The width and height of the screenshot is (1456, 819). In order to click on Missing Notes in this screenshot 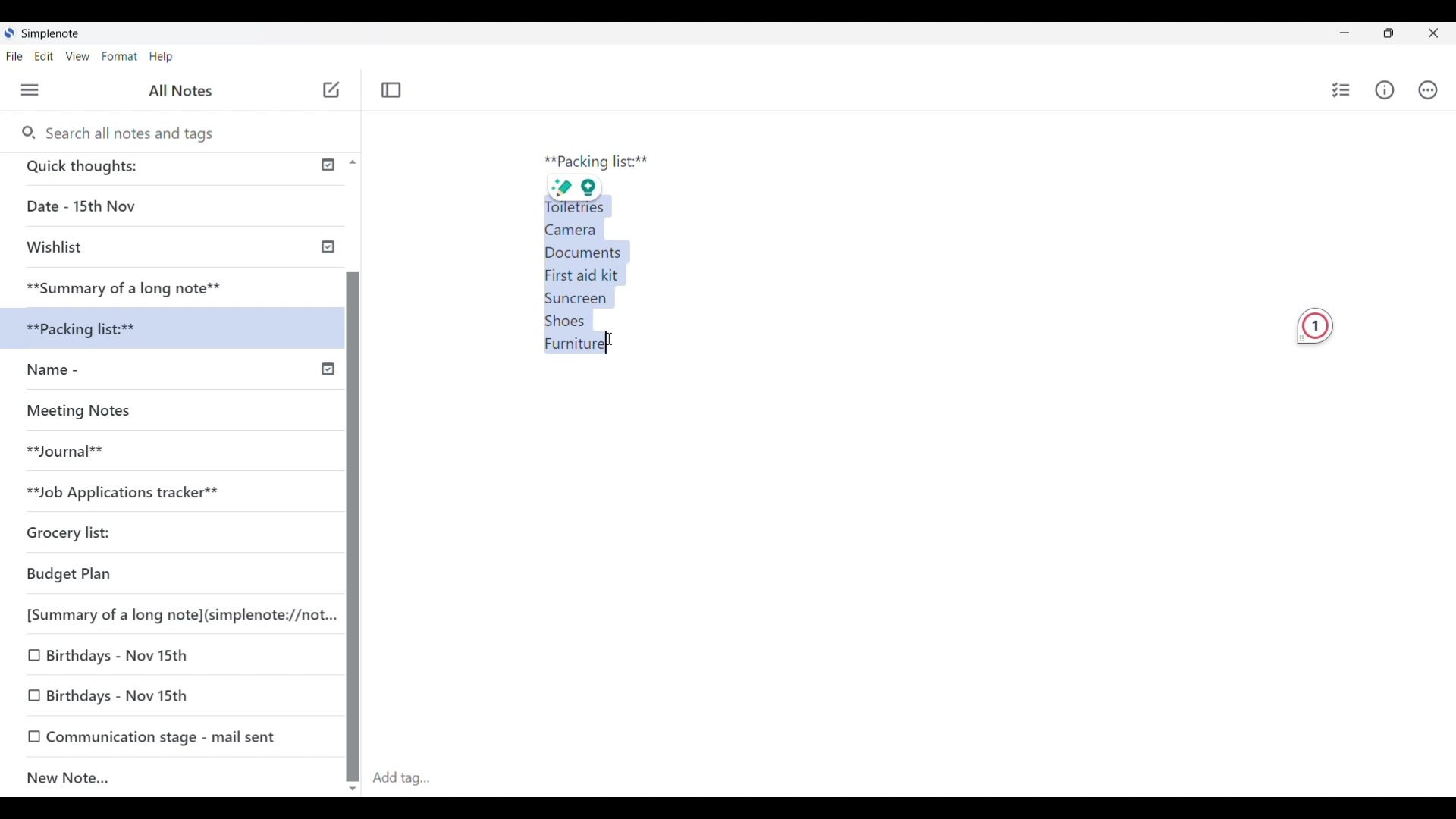, I will do `click(91, 414)`.